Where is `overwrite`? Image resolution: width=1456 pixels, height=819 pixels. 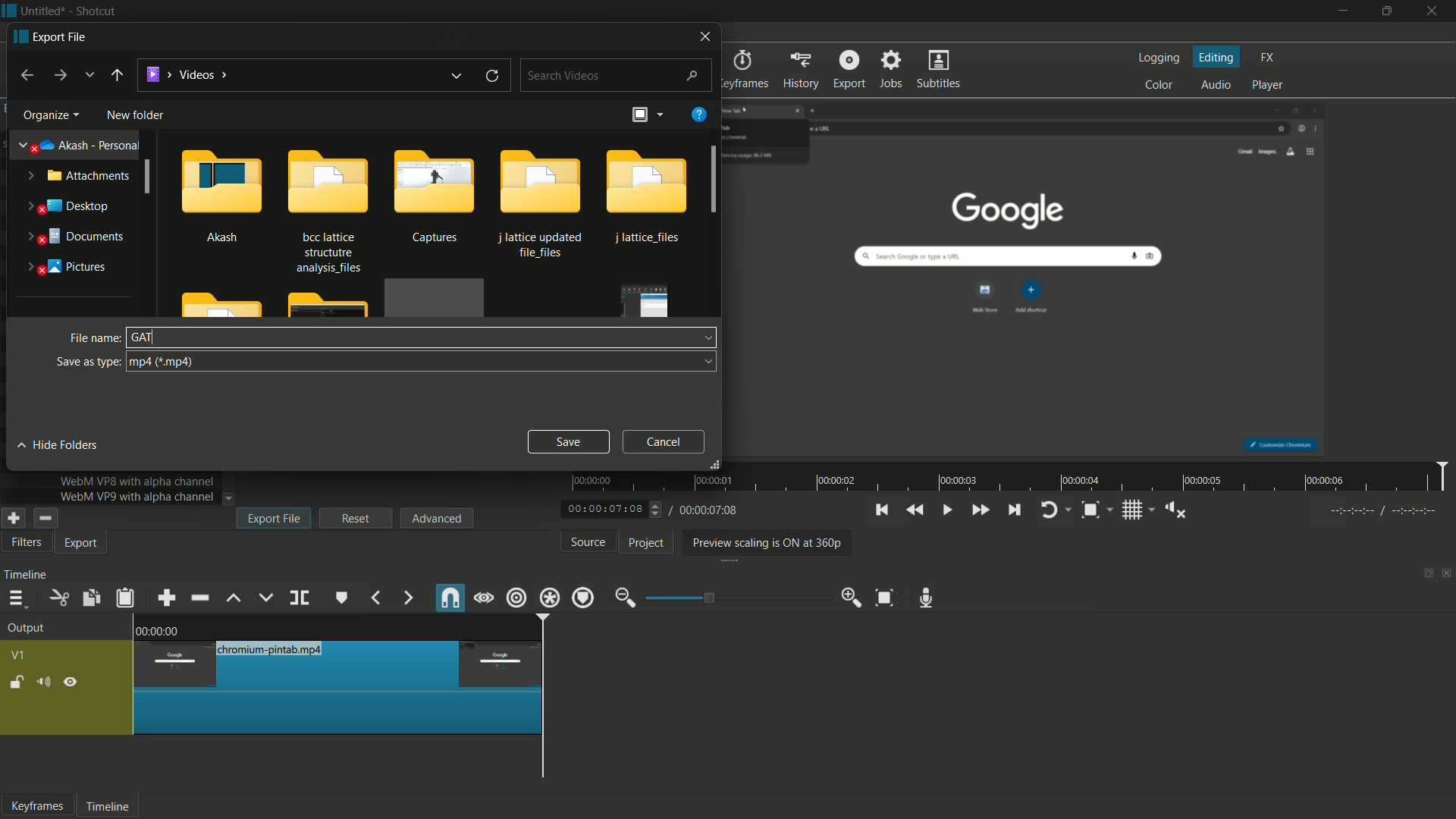
overwrite is located at coordinates (265, 598).